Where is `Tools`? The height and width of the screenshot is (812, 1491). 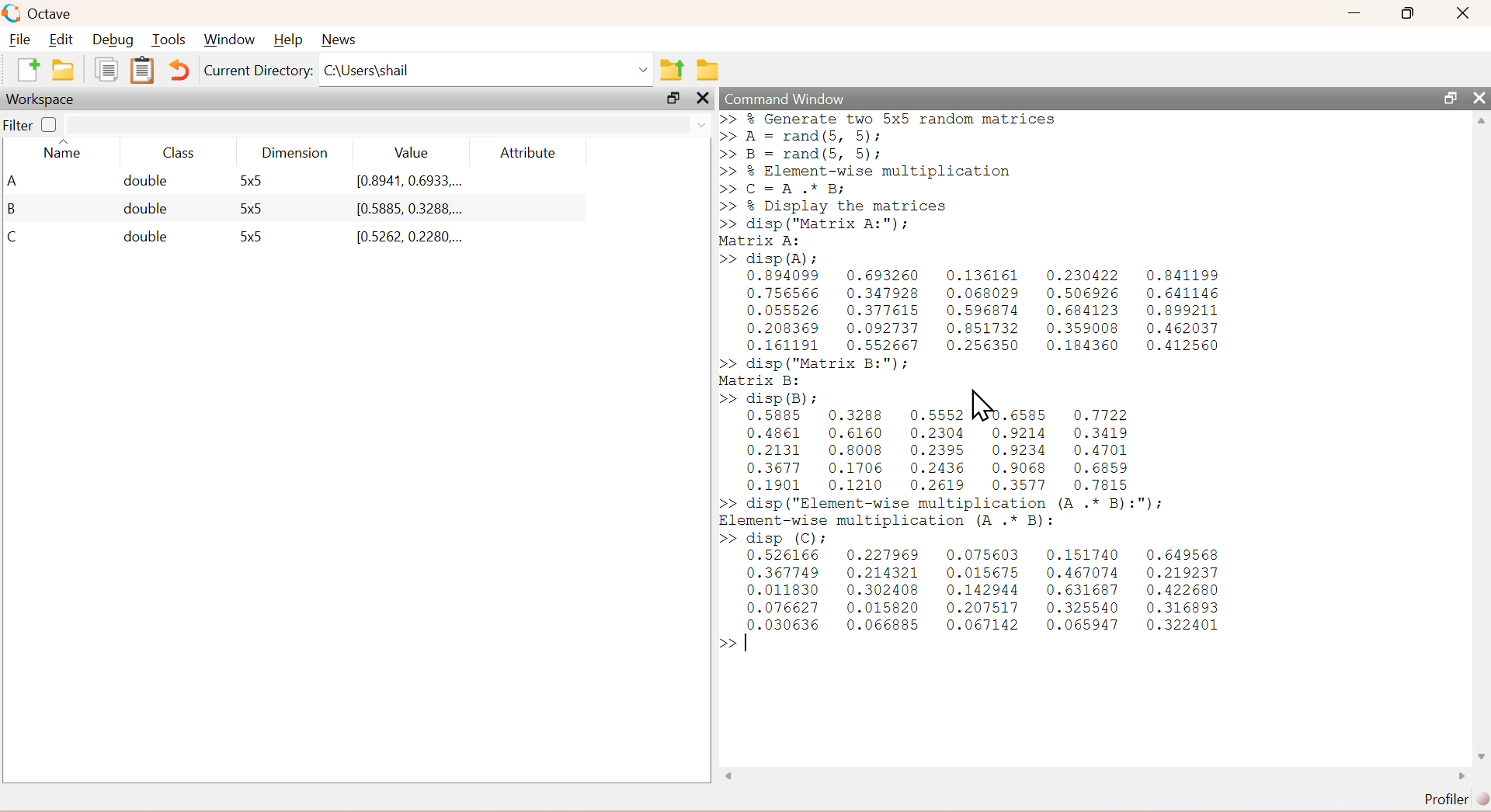
Tools is located at coordinates (171, 39).